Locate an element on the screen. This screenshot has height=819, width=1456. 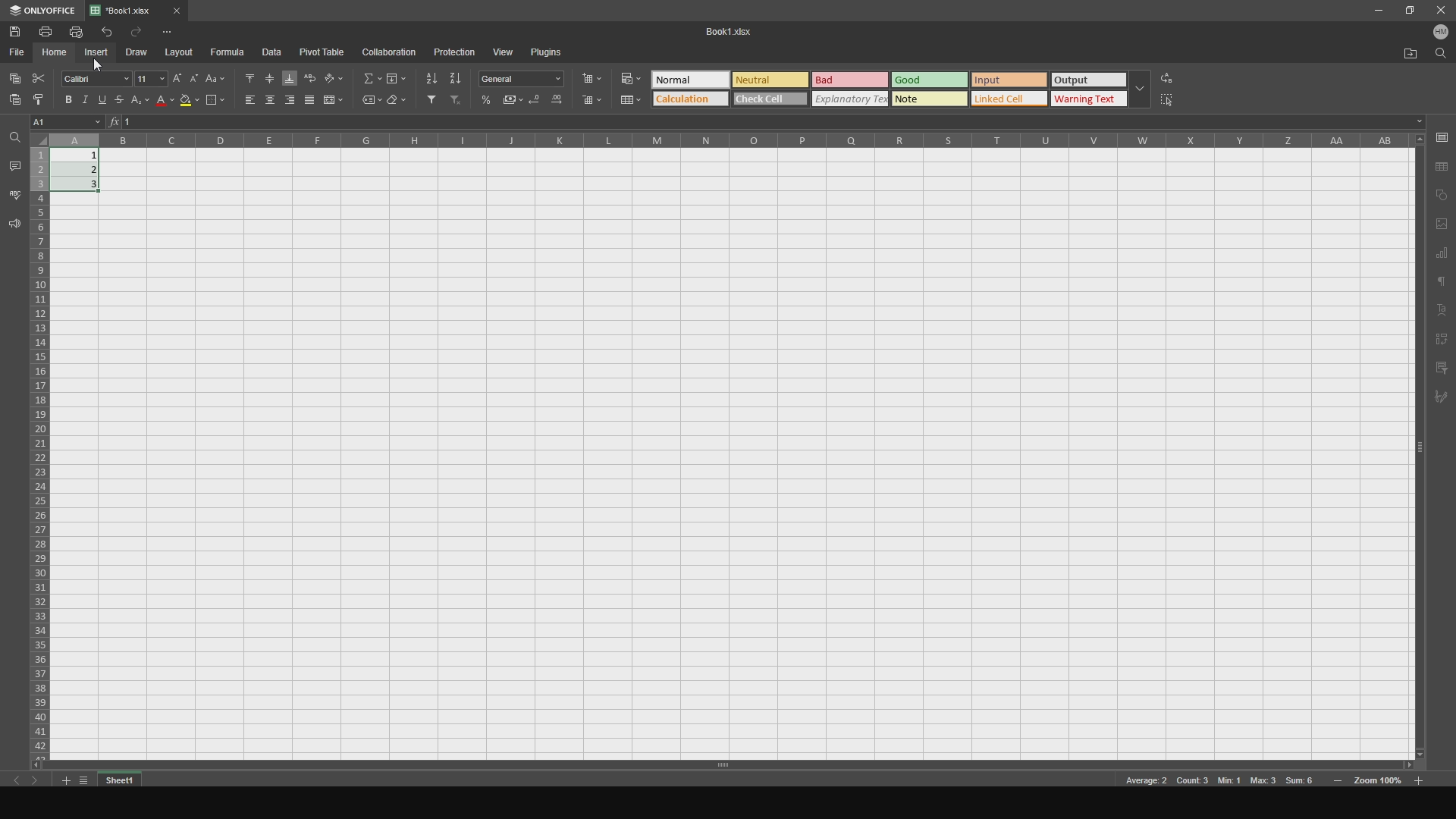
find is located at coordinates (14, 138).